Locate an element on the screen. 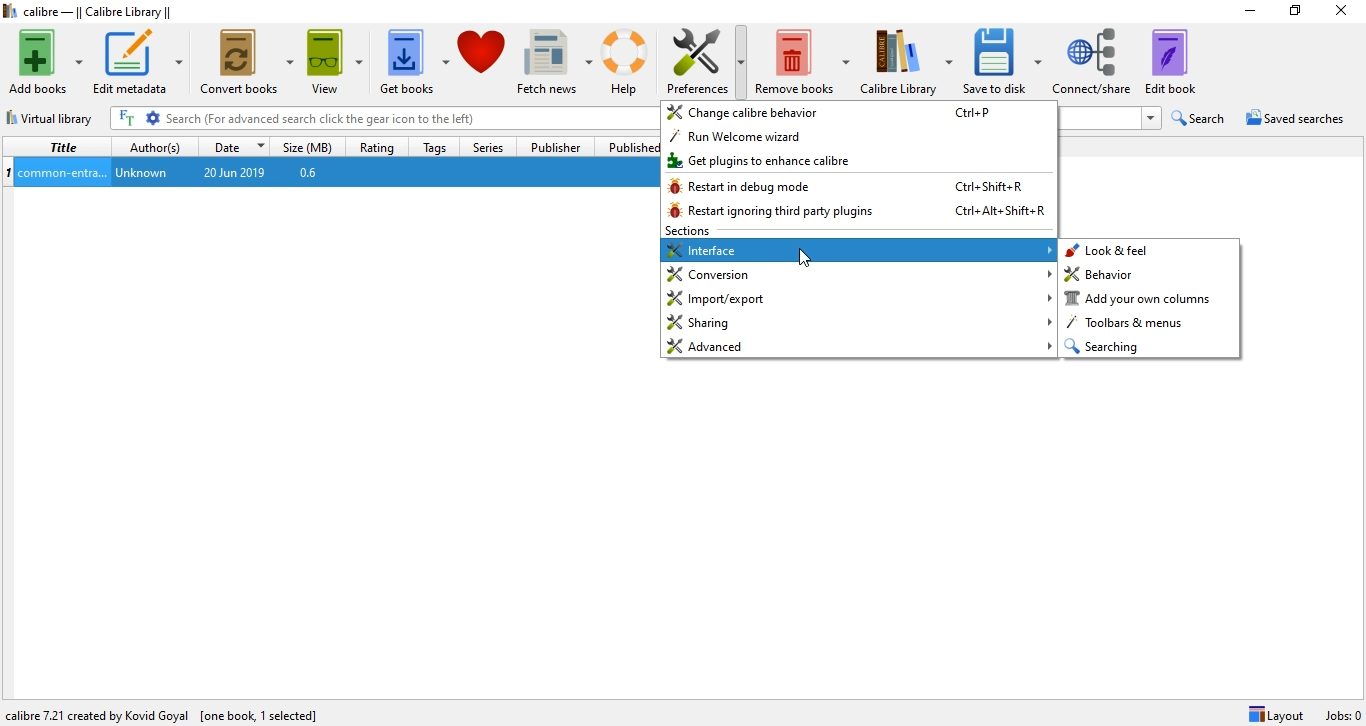 This screenshot has height=726, width=1366. search history is located at coordinates (1151, 119).